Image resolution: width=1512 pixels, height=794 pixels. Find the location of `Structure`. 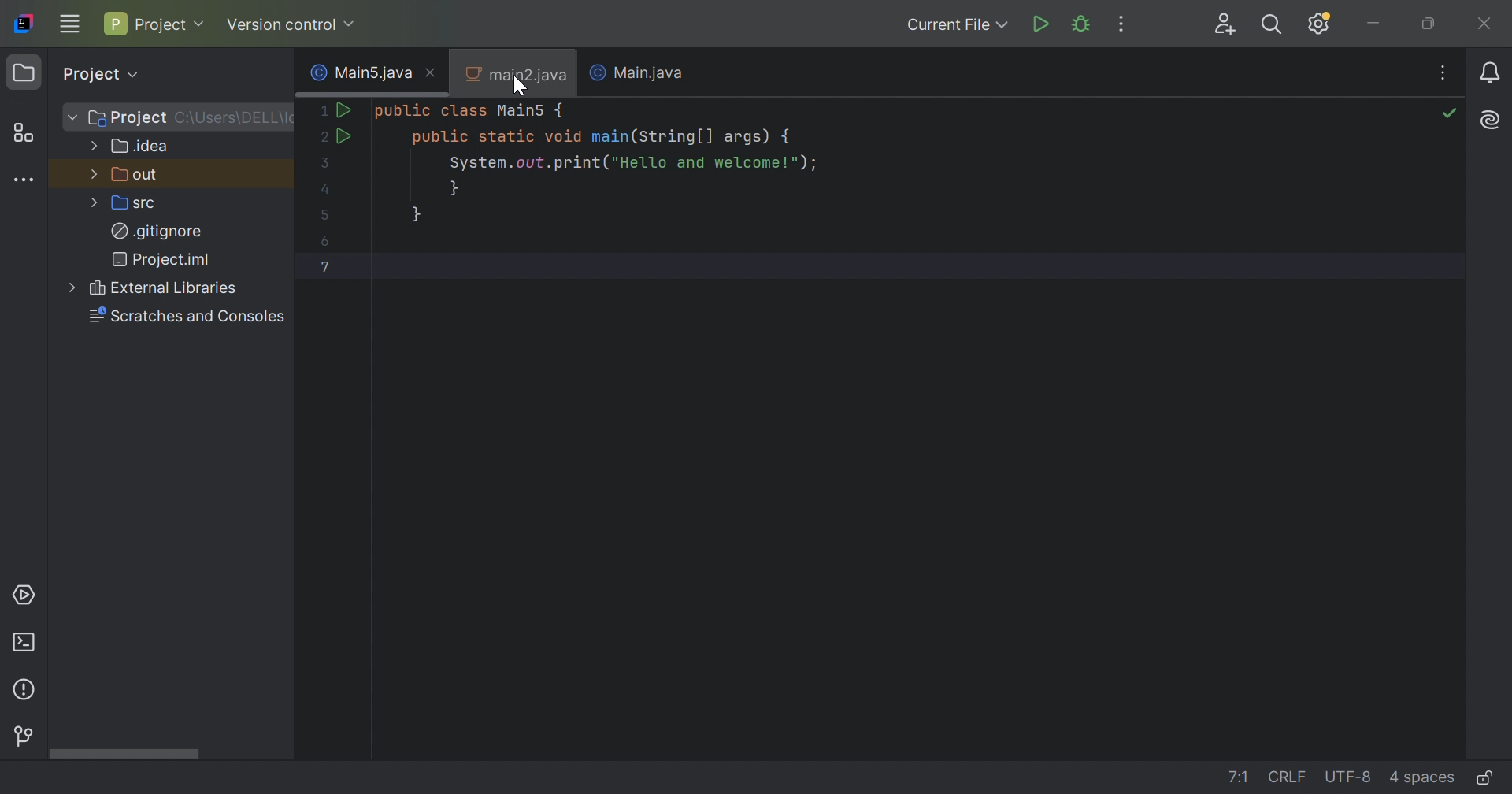

Structure is located at coordinates (23, 132).